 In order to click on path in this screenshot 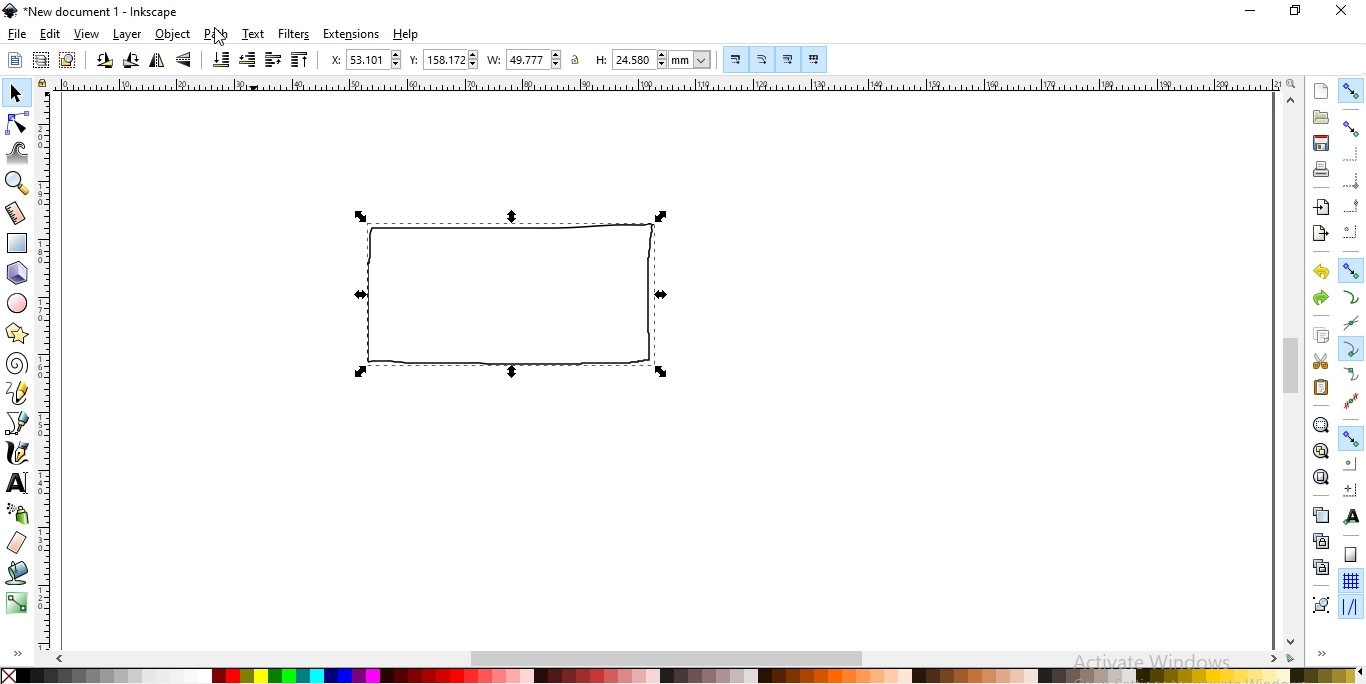, I will do `click(216, 33)`.